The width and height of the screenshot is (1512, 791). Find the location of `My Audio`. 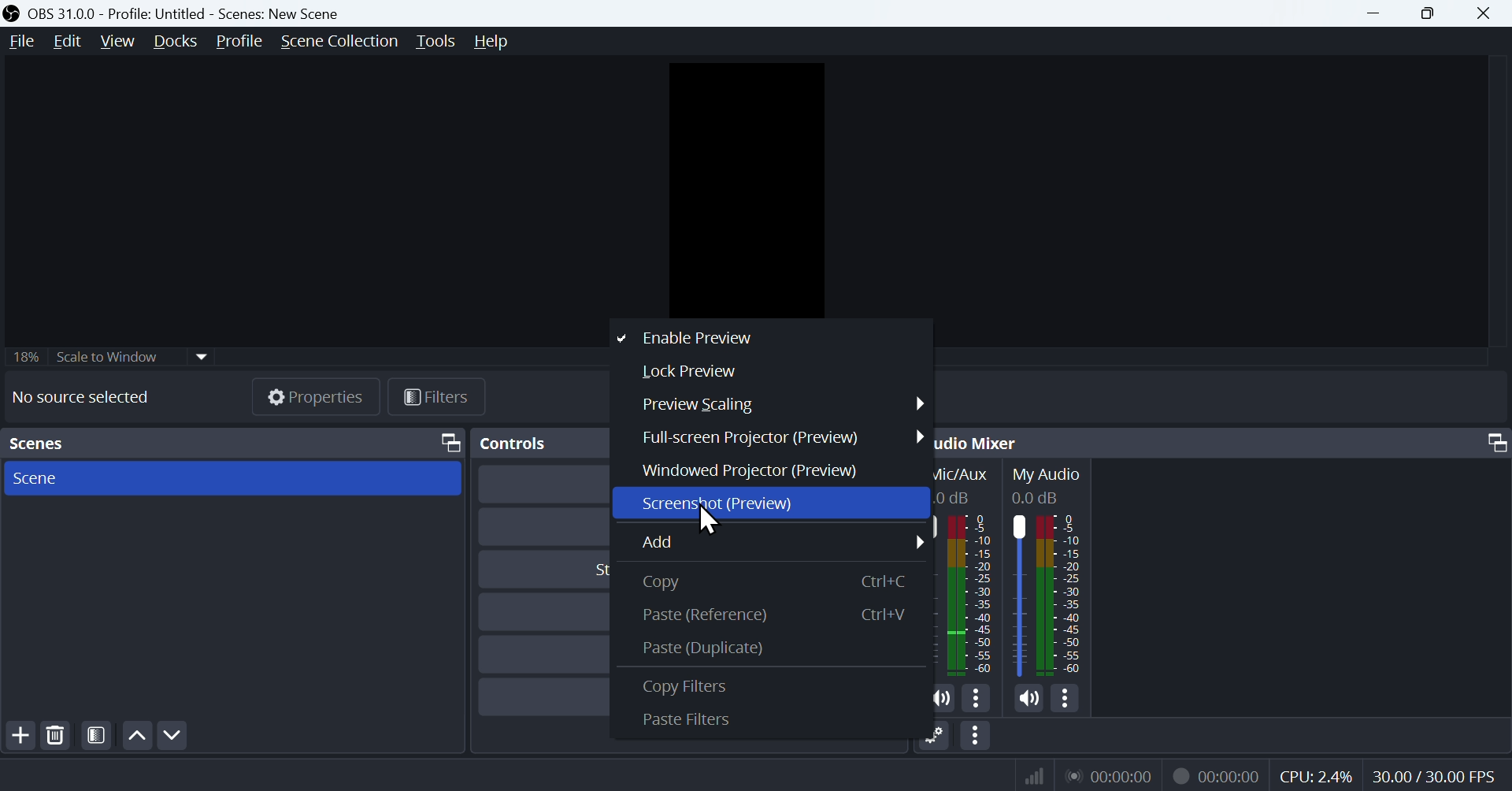

My Audio is located at coordinates (1058, 570).